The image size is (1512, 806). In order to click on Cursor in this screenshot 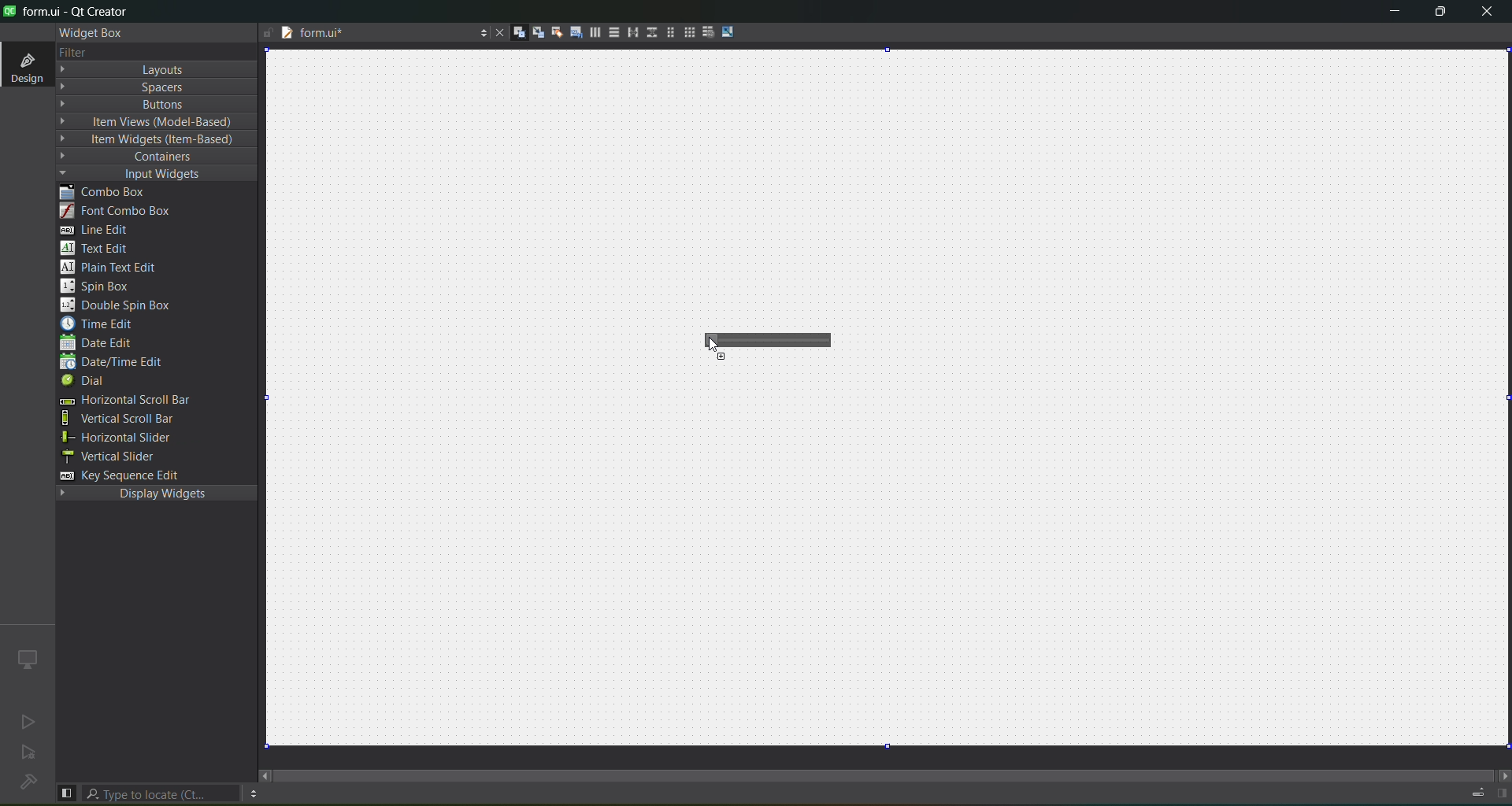, I will do `click(710, 346)`.